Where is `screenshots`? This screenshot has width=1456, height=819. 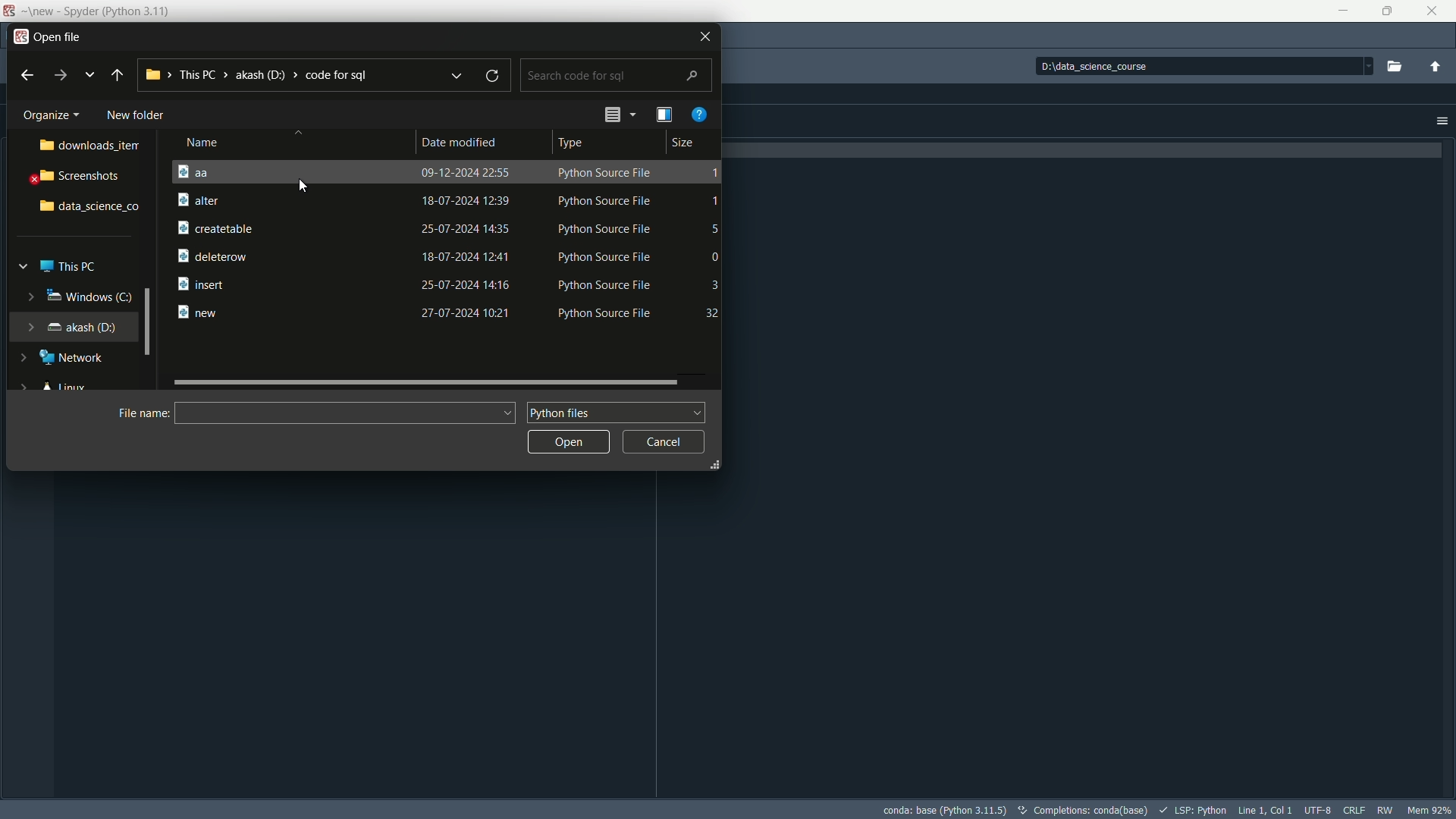
screenshots is located at coordinates (82, 177).